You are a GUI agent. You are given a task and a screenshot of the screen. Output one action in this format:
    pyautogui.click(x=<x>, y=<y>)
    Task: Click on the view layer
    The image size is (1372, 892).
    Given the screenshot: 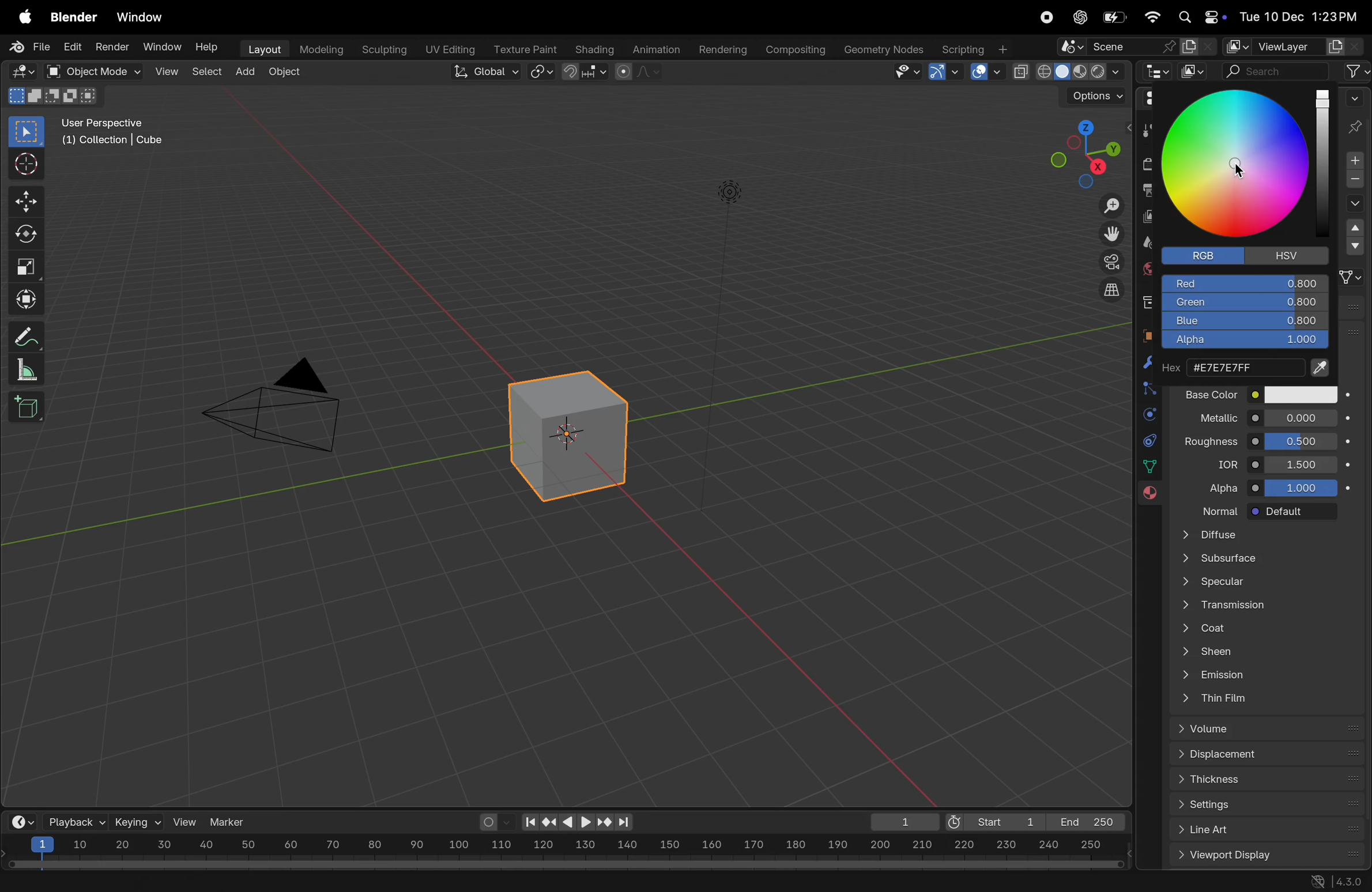 What is the action you would take?
    pyautogui.click(x=1145, y=217)
    